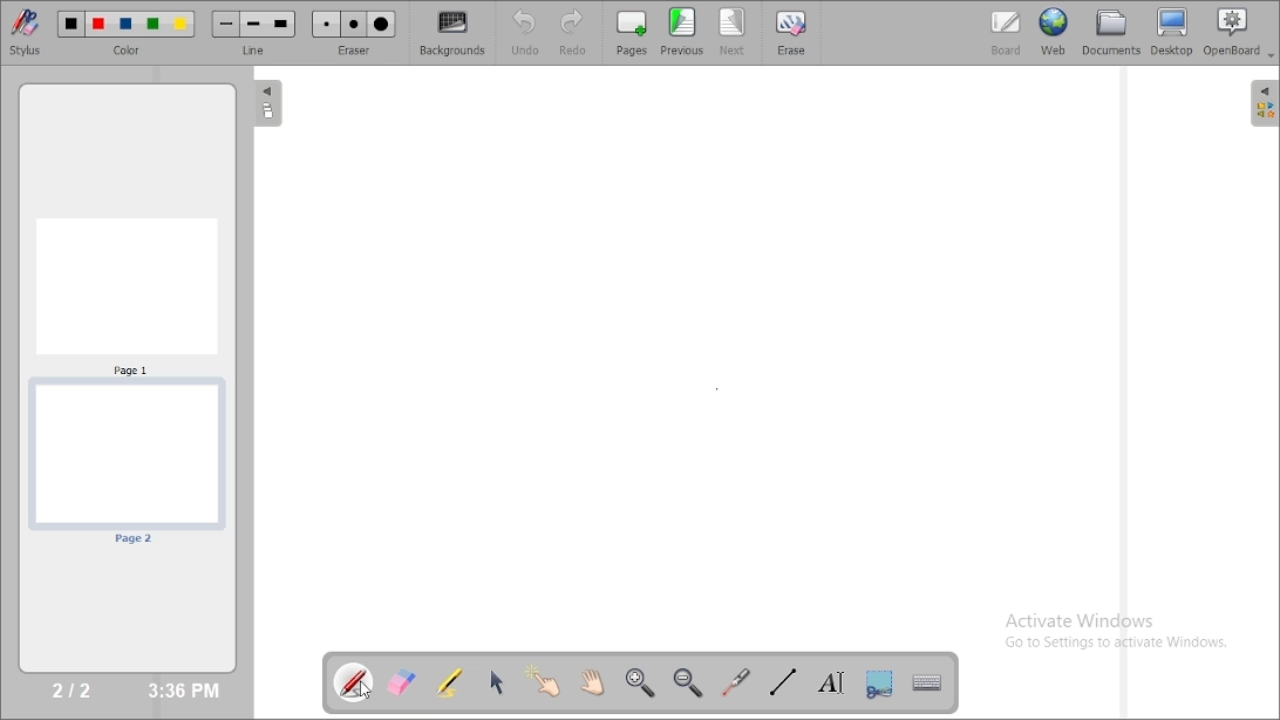 Image resolution: width=1280 pixels, height=720 pixels. I want to click on virtual laser pointer, so click(736, 682).